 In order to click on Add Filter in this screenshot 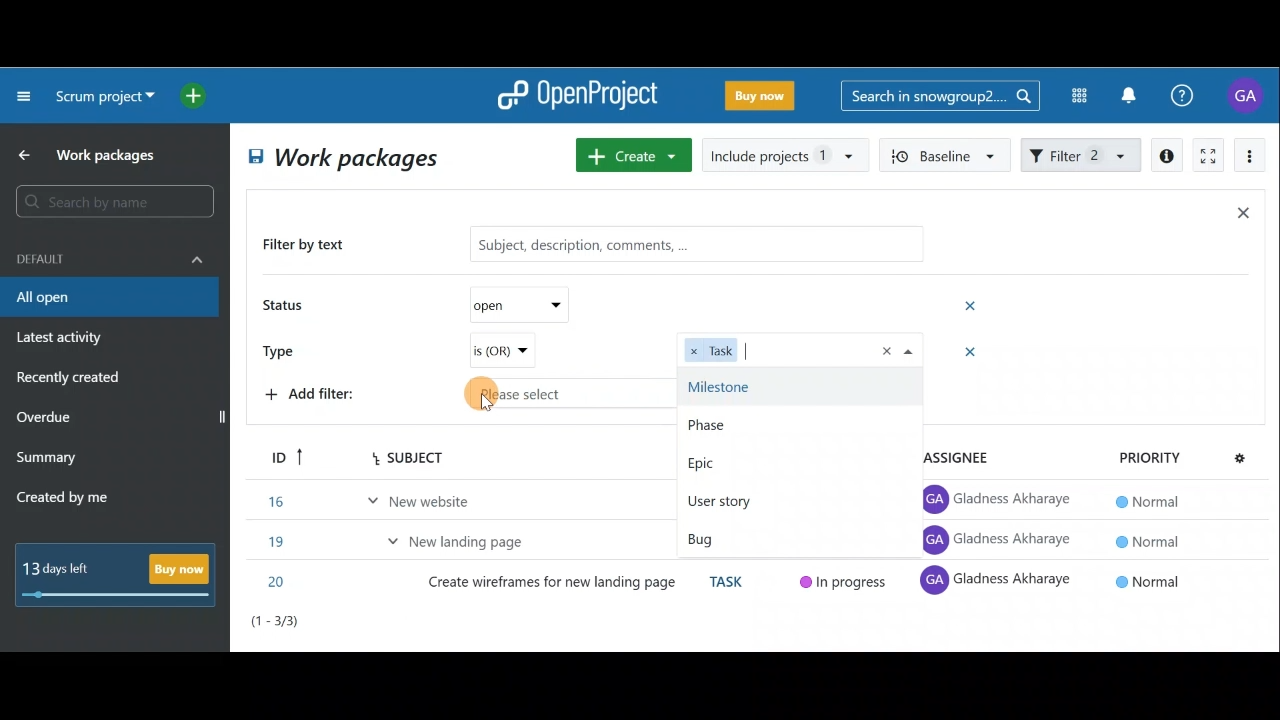, I will do `click(316, 397)`.